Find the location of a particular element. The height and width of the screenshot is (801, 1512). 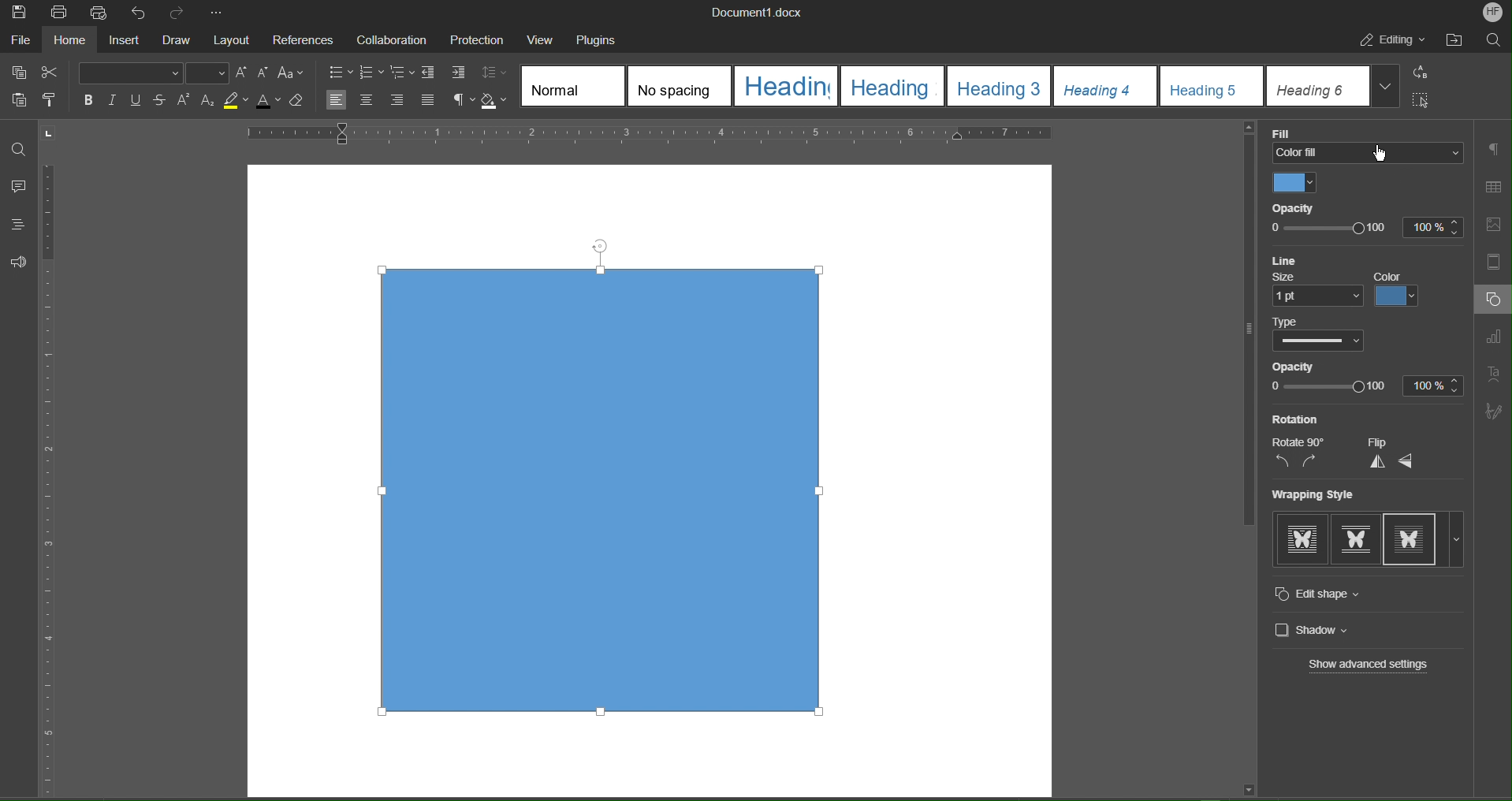

Italics is located at coordinates (114, 100).